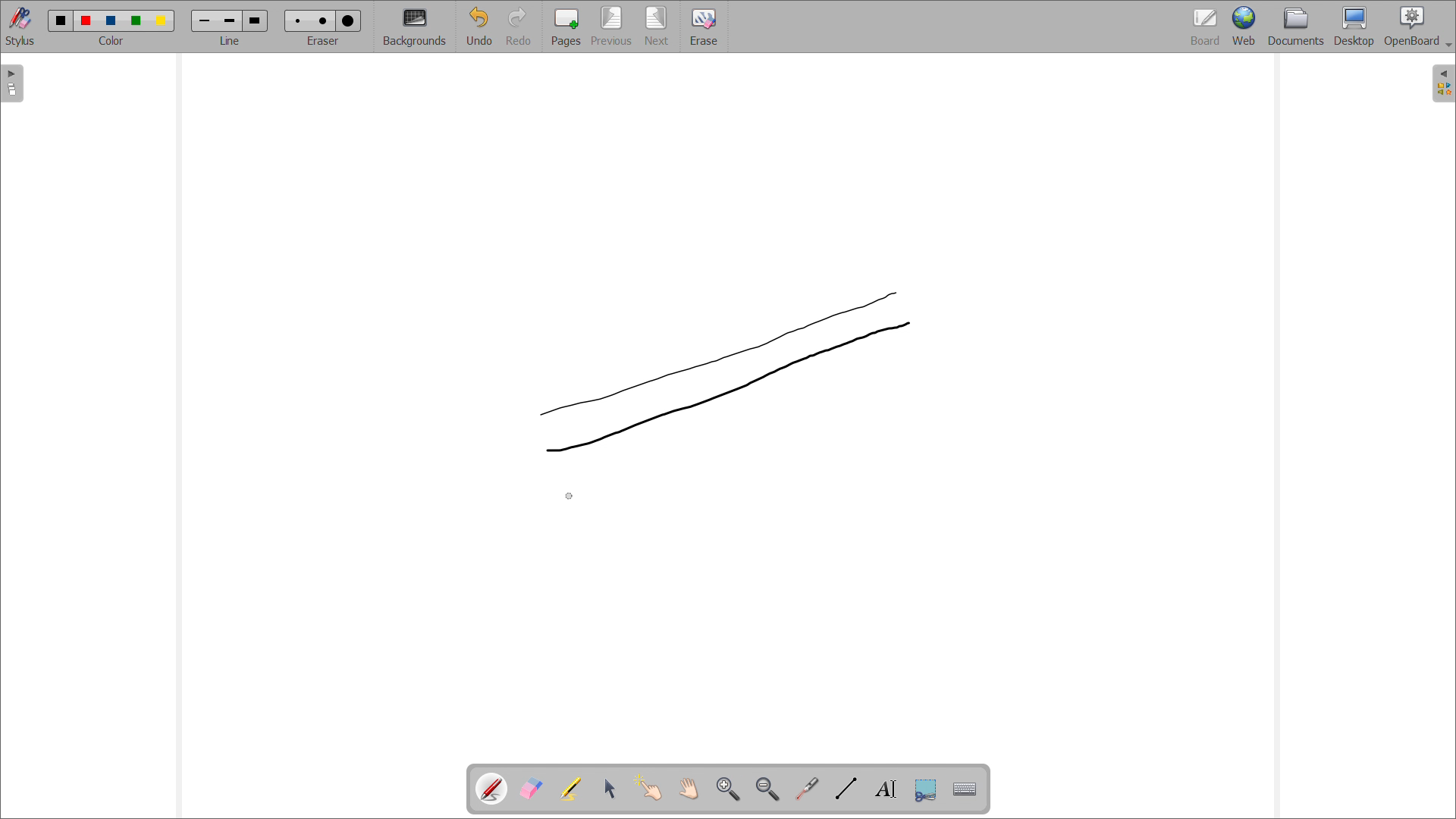 This screenshot has height=819, width=1456. What do you see at coordinates (519, 26) in the screenshot?
I see `redo` at bounding box center [519, 26].